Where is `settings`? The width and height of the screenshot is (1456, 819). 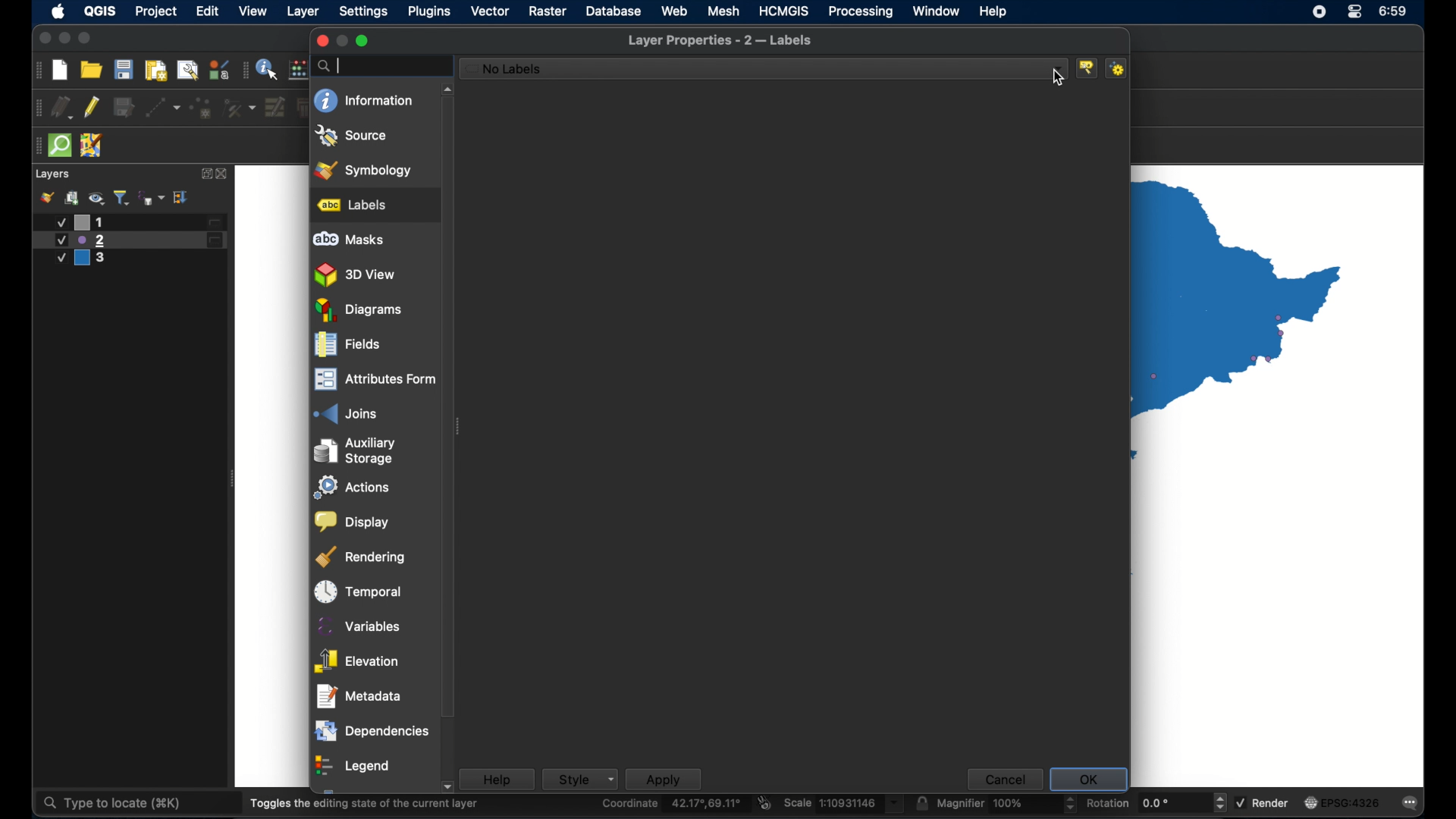
settings is located at coordinates (363, 12).